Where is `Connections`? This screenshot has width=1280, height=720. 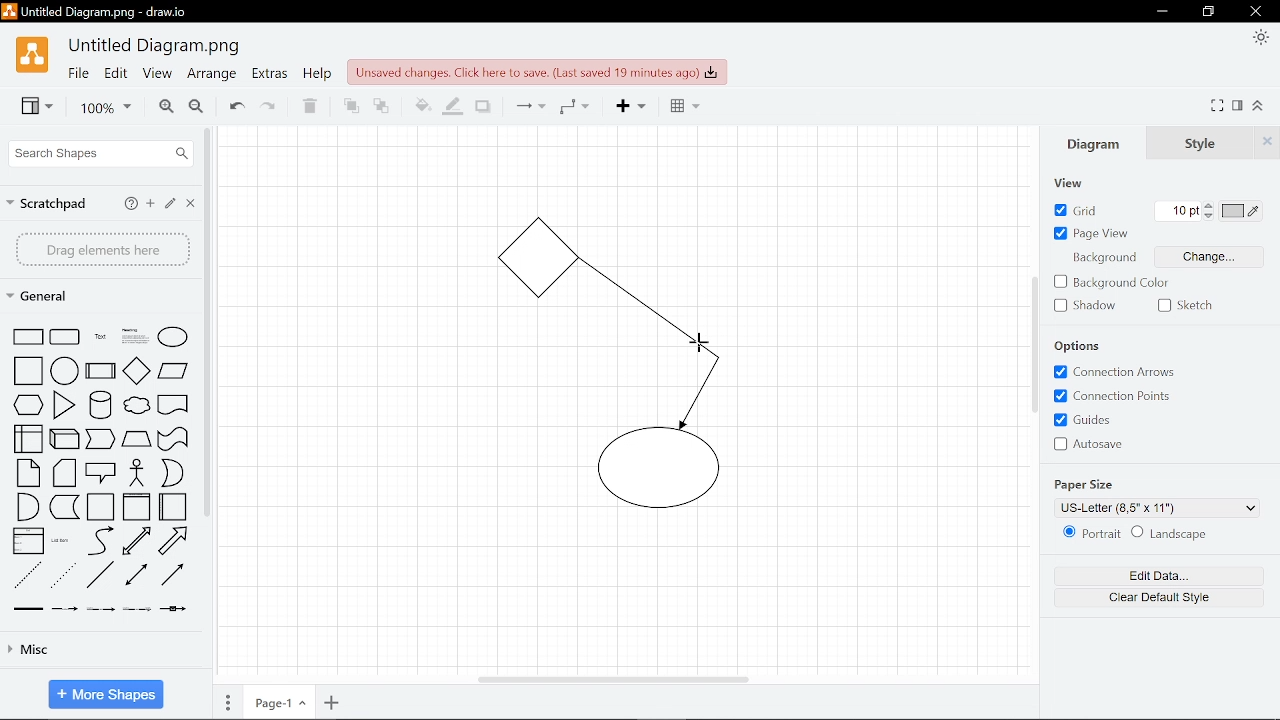 Connections is located at coordinates (528, 107).